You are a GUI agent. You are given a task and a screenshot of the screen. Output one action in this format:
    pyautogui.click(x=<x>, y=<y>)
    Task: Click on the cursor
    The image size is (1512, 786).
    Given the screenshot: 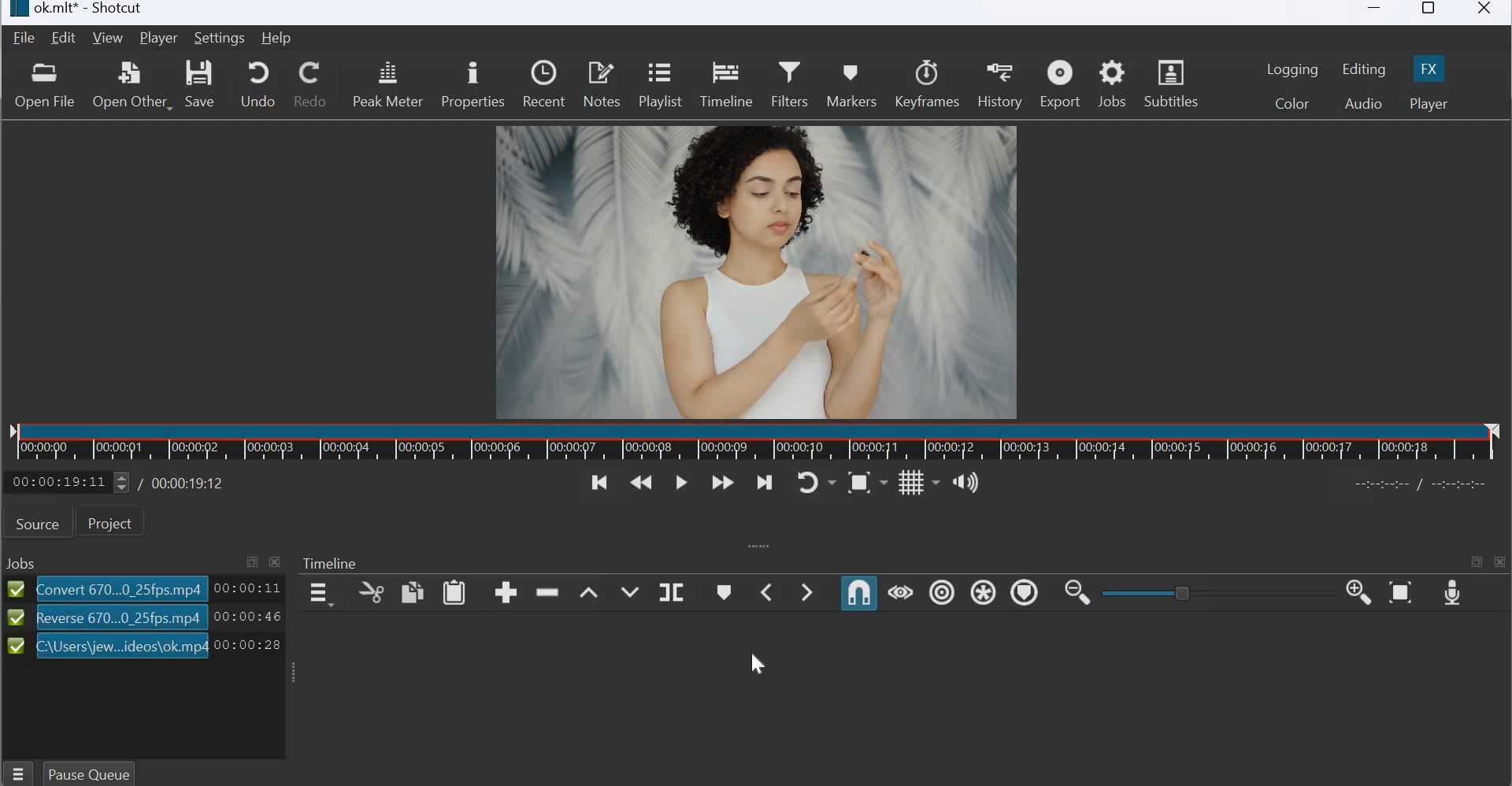 What is the action you would take?
    pyautogui.click(x=759, y=663)
    